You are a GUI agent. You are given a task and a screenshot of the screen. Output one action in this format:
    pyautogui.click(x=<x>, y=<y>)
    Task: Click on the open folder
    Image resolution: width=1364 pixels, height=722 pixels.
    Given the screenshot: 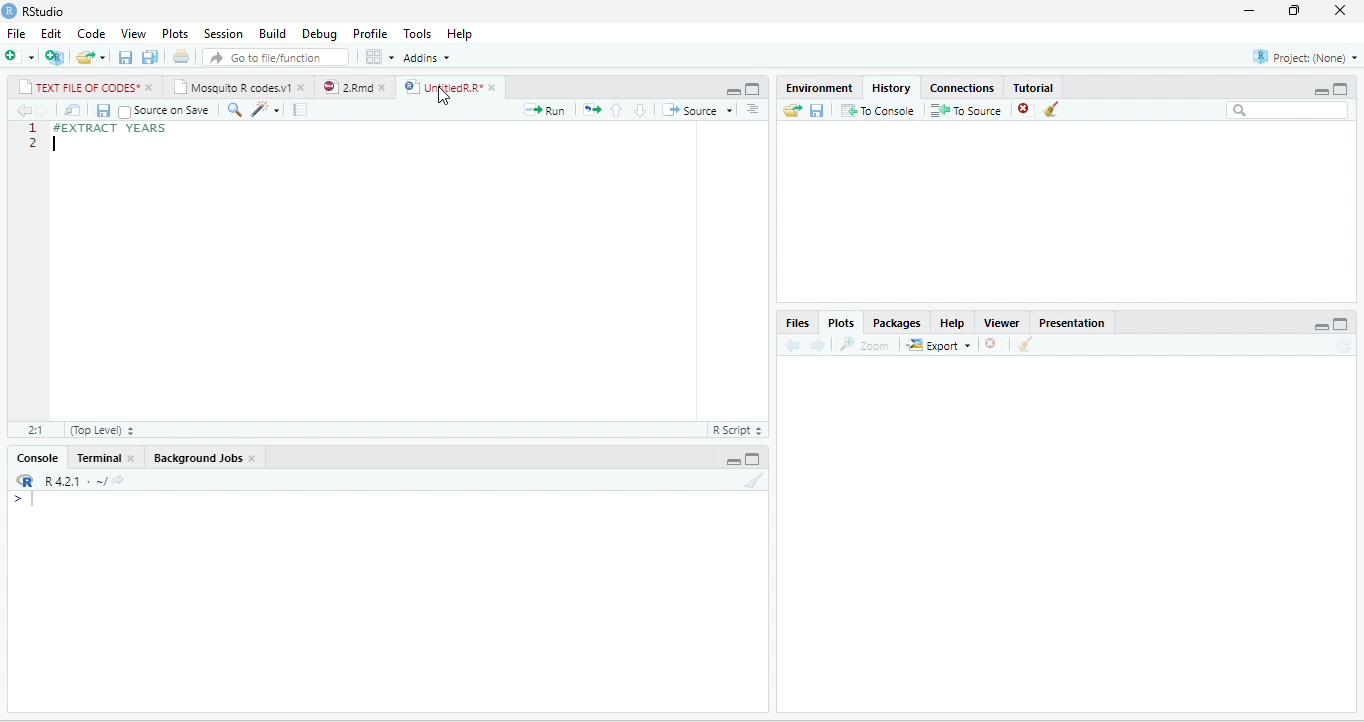 What is the action you would take?
    pyautogui.click(x=793, y=110)
    